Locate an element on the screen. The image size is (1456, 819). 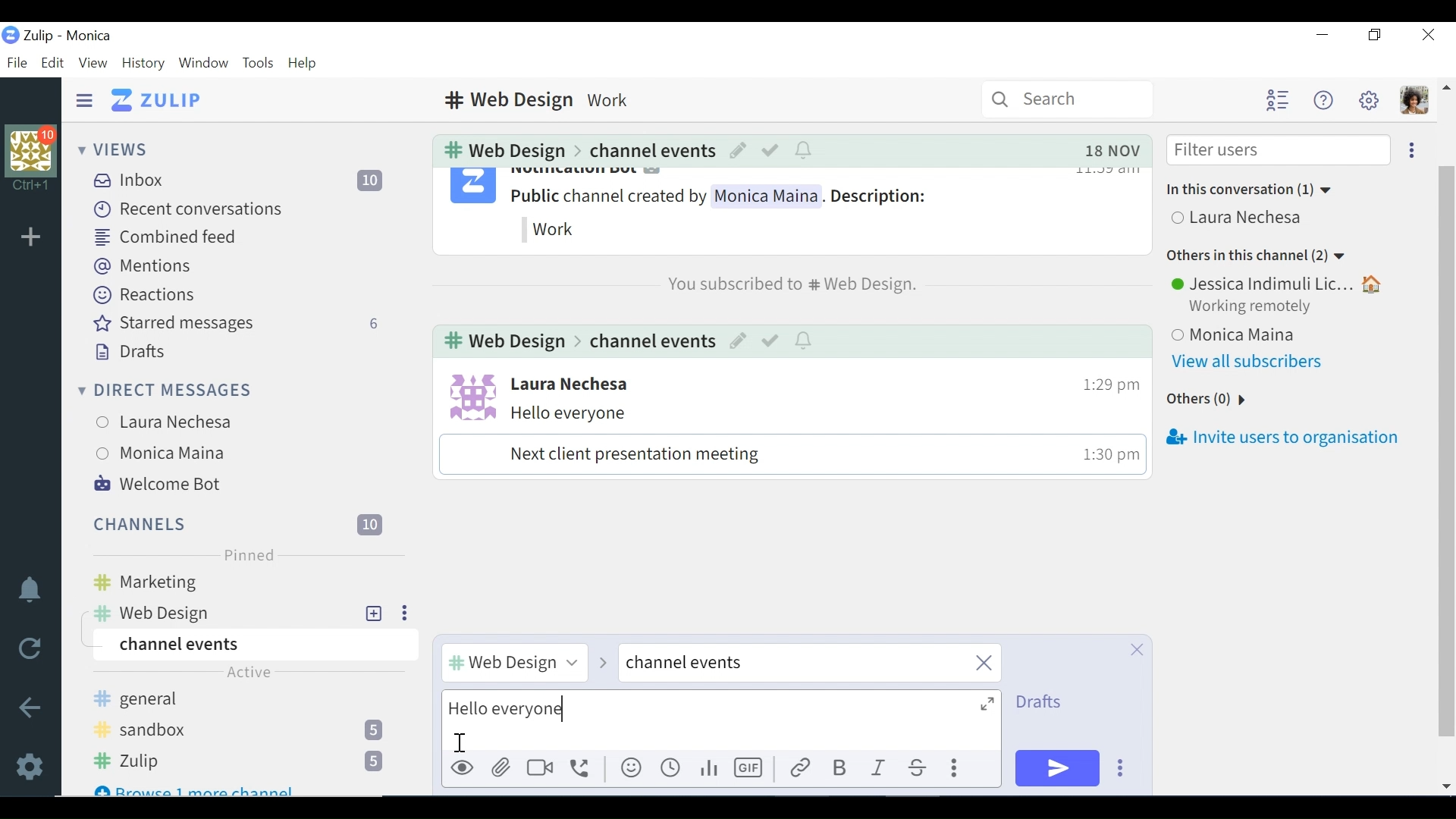
Channel events is located at coordinates (649, 341).